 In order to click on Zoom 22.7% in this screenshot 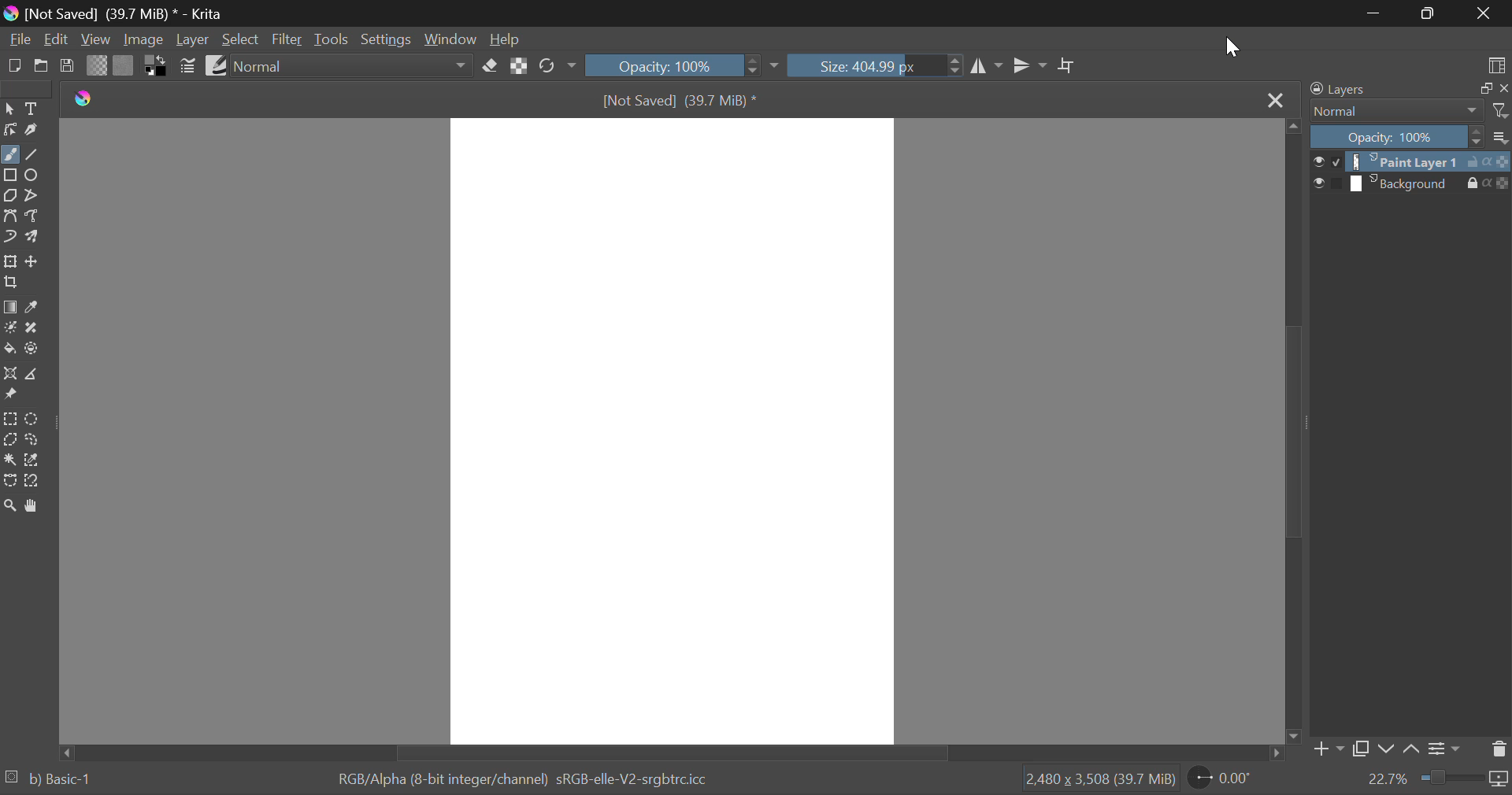, I will do `click(1435, 780)`.